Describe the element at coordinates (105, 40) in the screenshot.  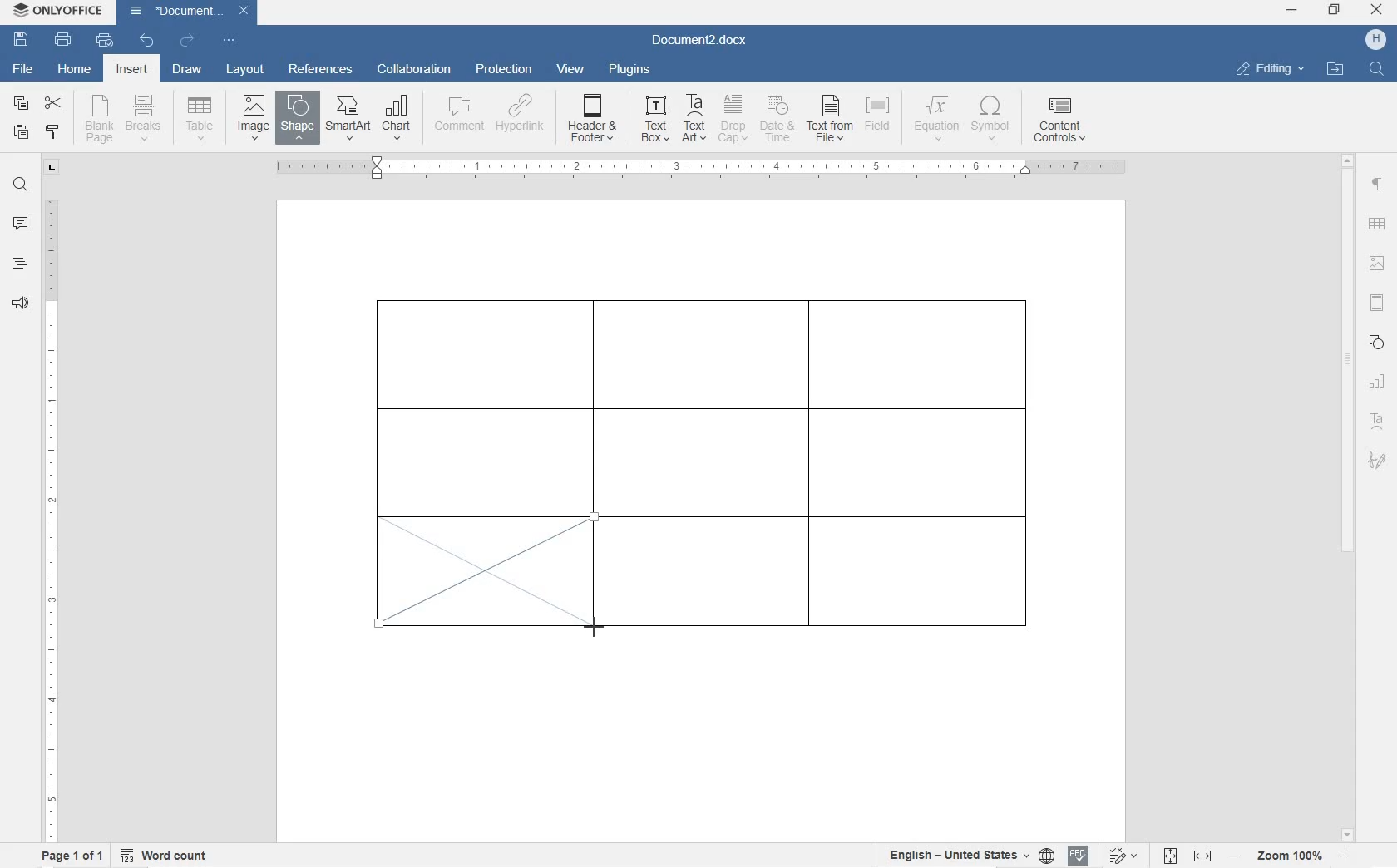
I see `quick print` at that location.